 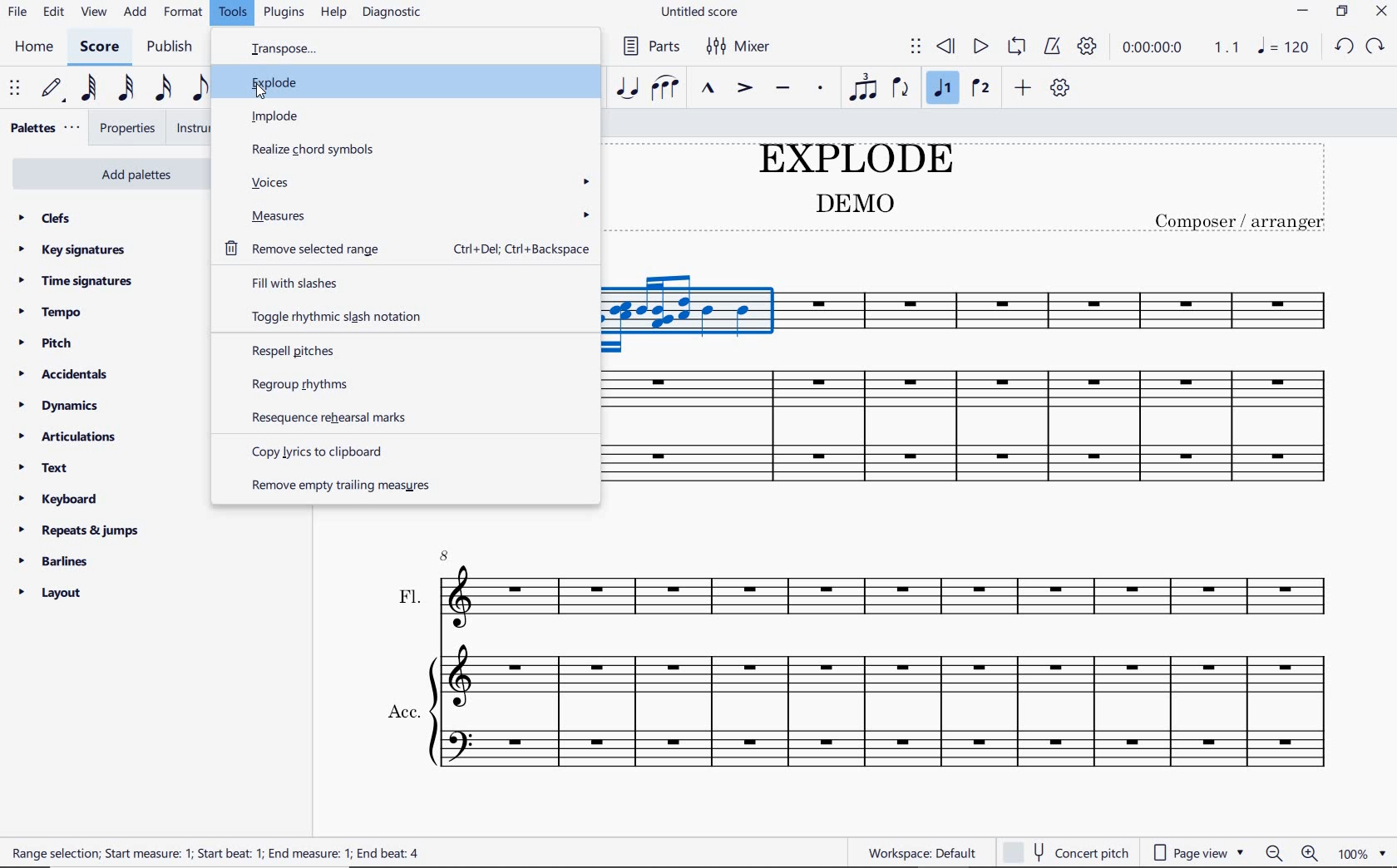 I want to click on plugins, so click(x=284, y=13).